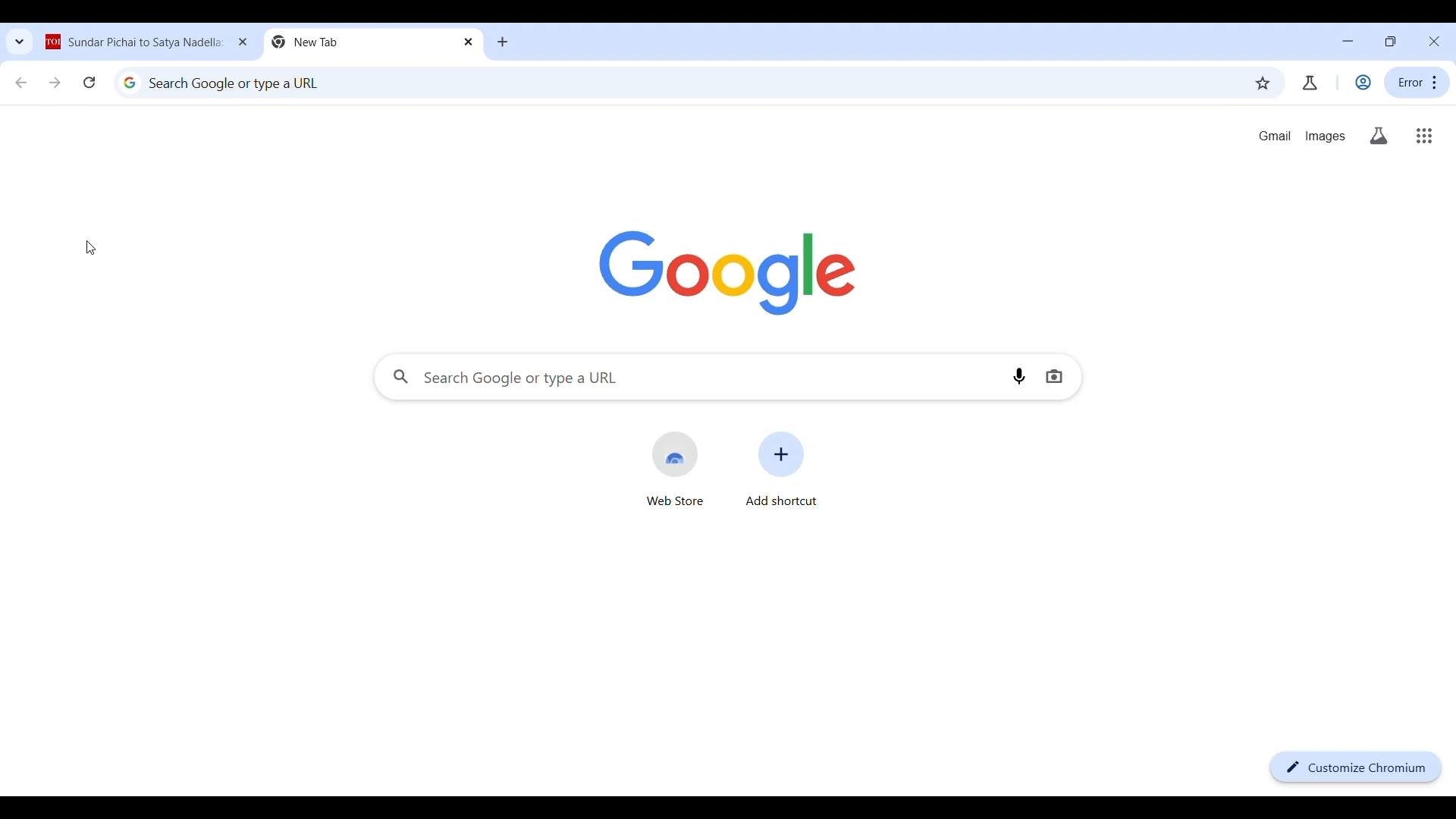 Image resolution: width=1456 pixels, height=819 pixels. Describe the element at coordinates (89, 83) in the screenshot. I see `Reload current page` at that location.